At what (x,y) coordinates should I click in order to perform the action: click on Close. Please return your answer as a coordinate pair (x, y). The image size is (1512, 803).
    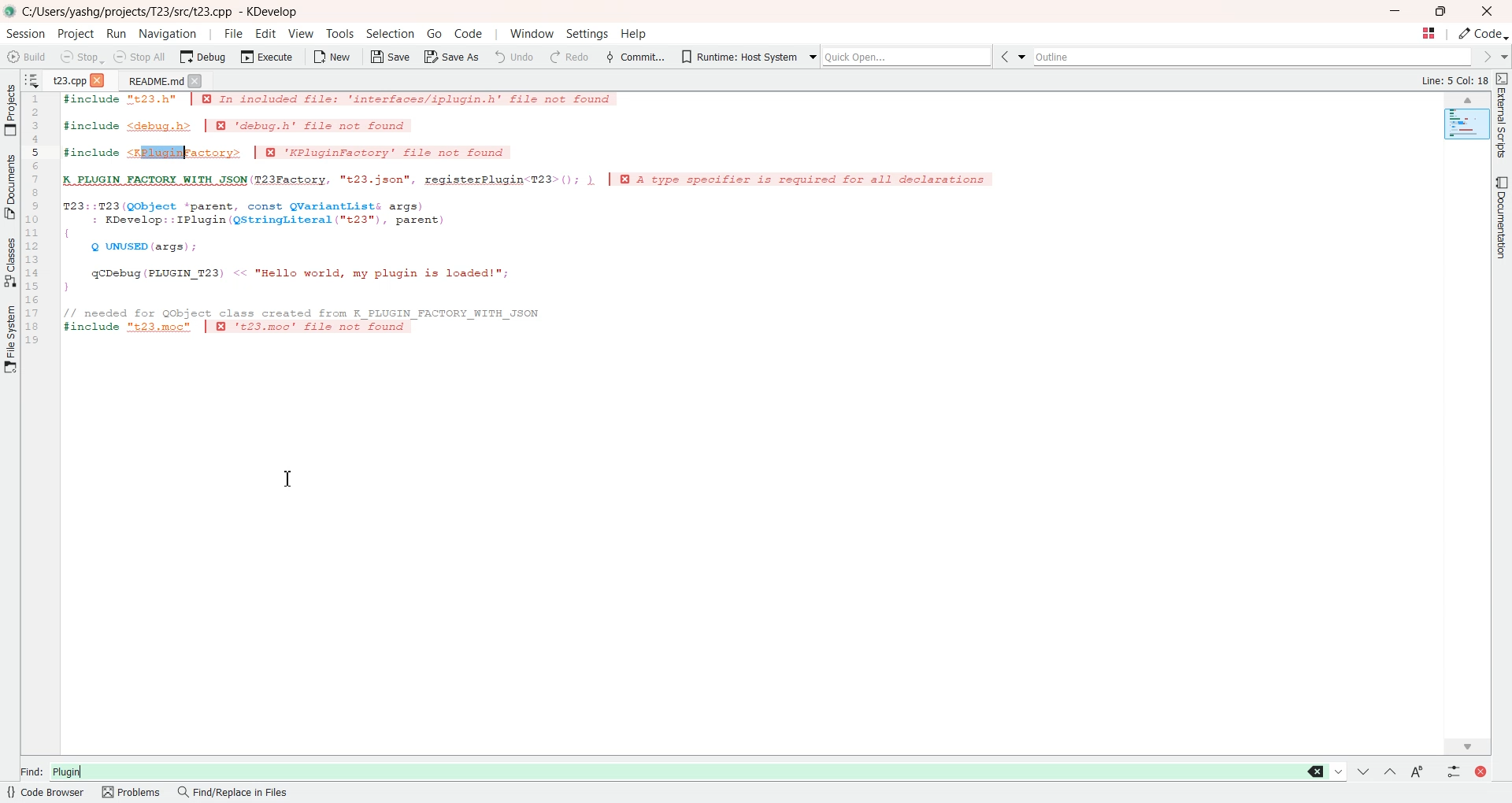
    Looking at the image, I should click on (1487, 11).